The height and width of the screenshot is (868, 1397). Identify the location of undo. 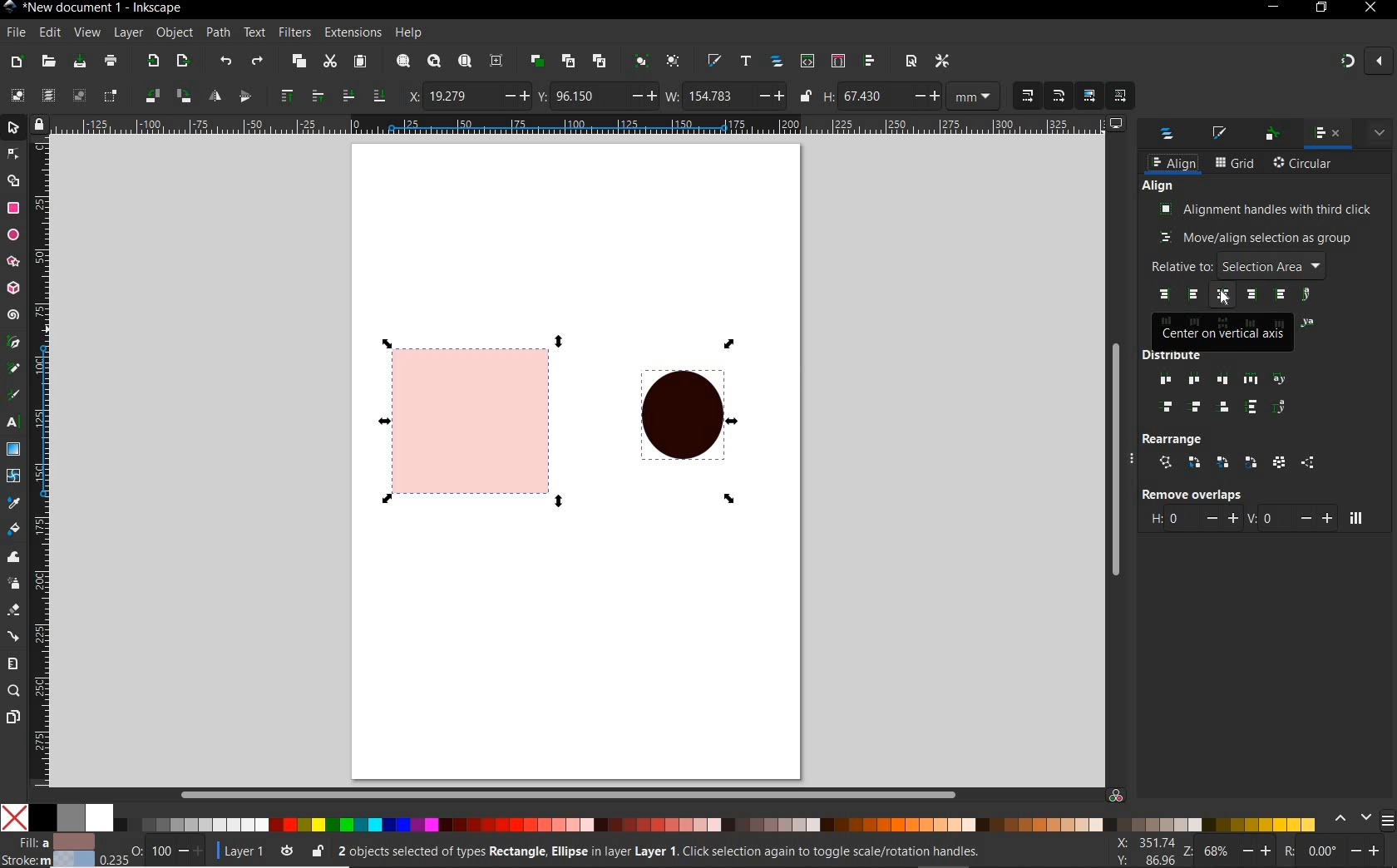
(227, 63).